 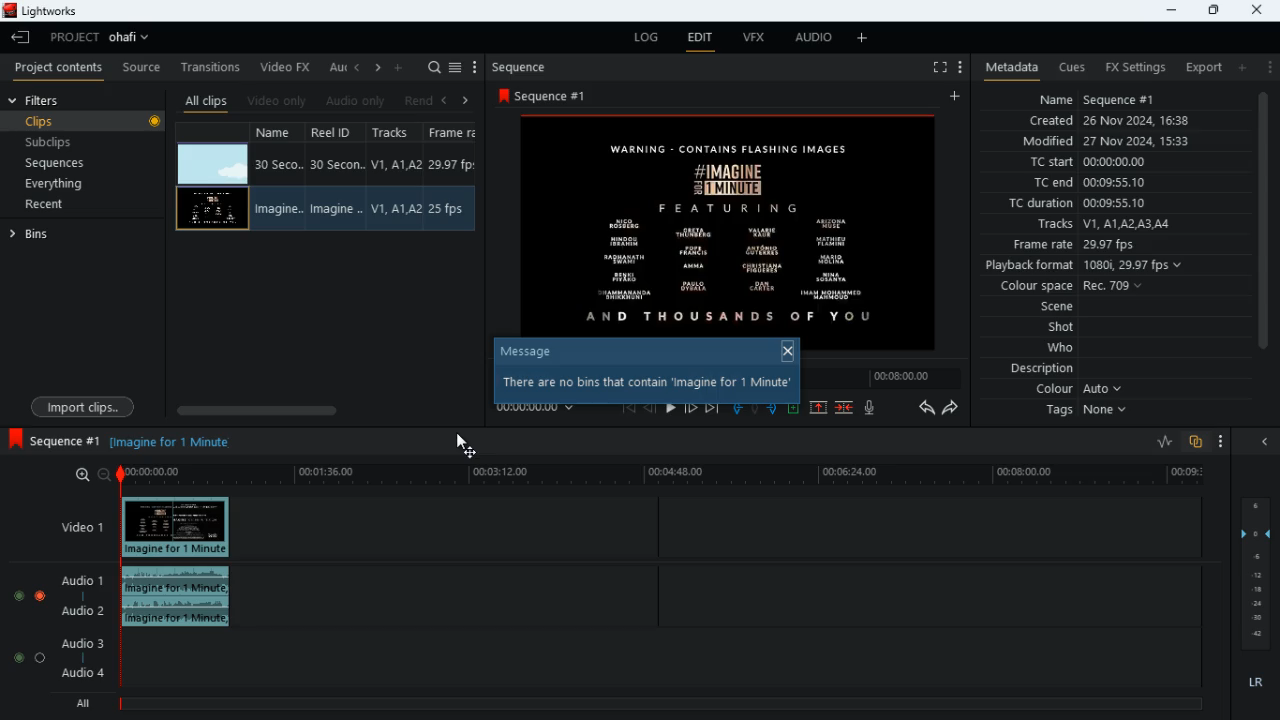 I want to click on backwards, so click(x=924, y=408).